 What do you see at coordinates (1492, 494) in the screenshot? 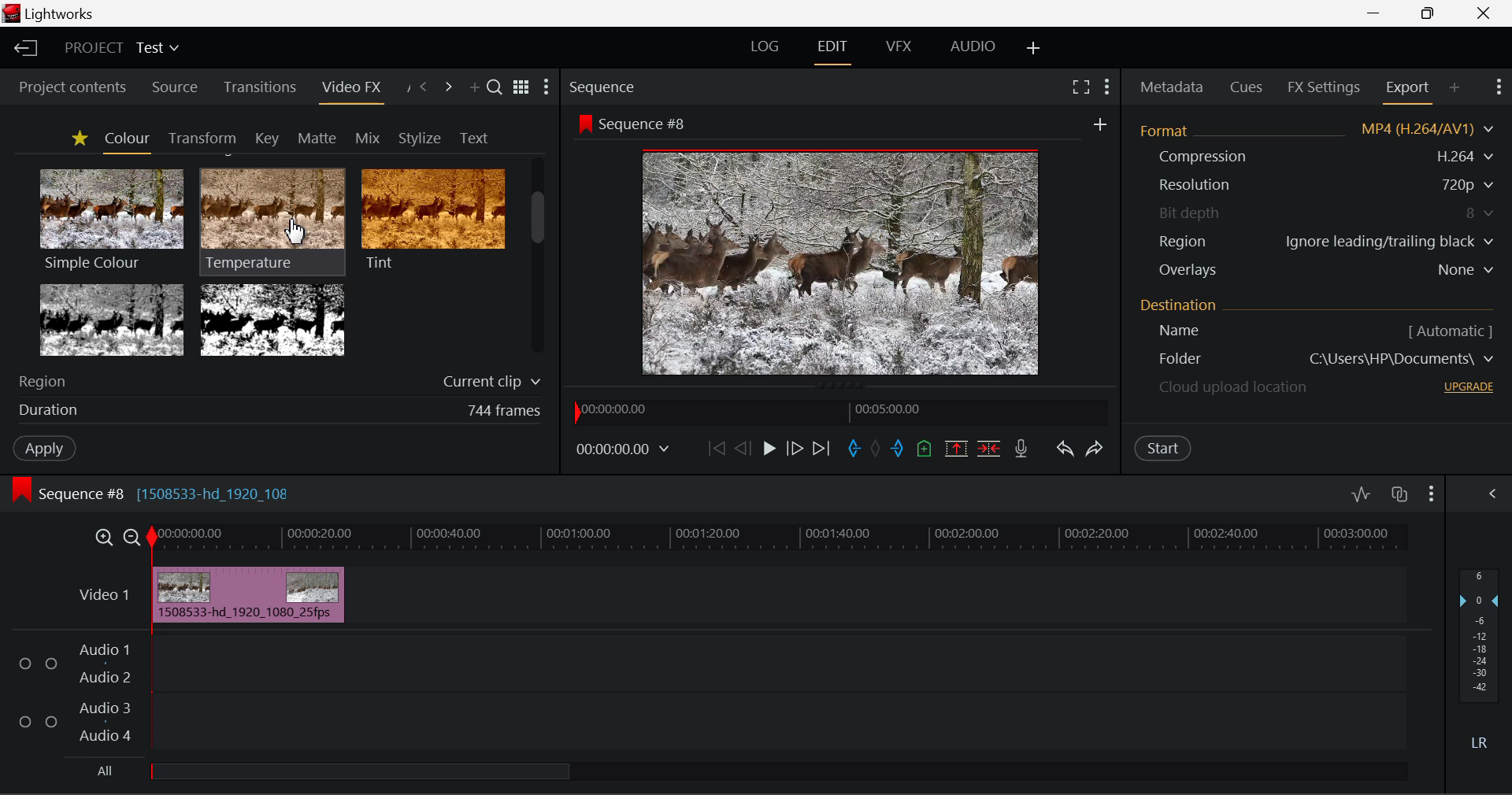
I see `Show Settings` at bounding box center [1492, 494].